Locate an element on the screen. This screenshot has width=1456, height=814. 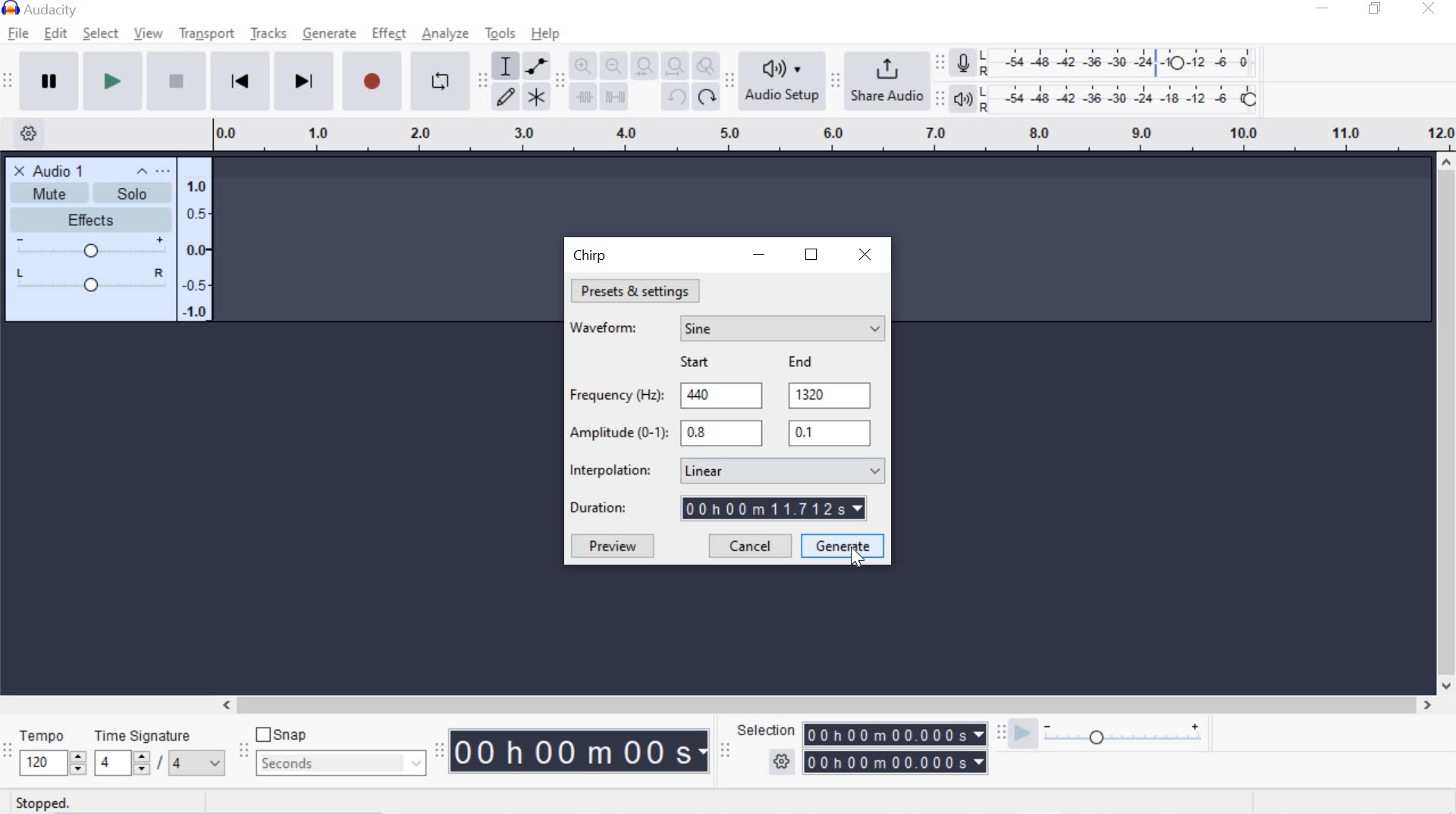
Audio setup is located at coordinates (783, 80).